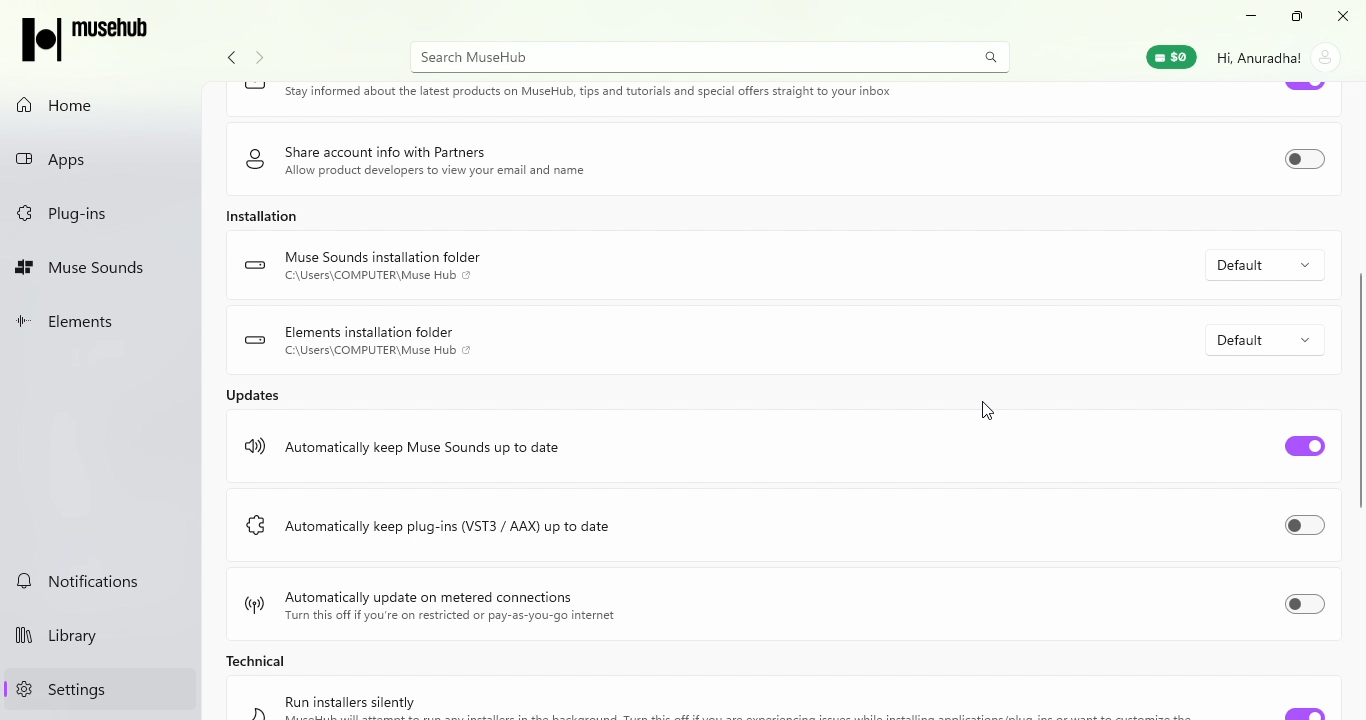 The height and width of the screenshot is (720, 1366). Describe the element at coordinates (254, 88) in the screenshot. I see `logo` at that location.